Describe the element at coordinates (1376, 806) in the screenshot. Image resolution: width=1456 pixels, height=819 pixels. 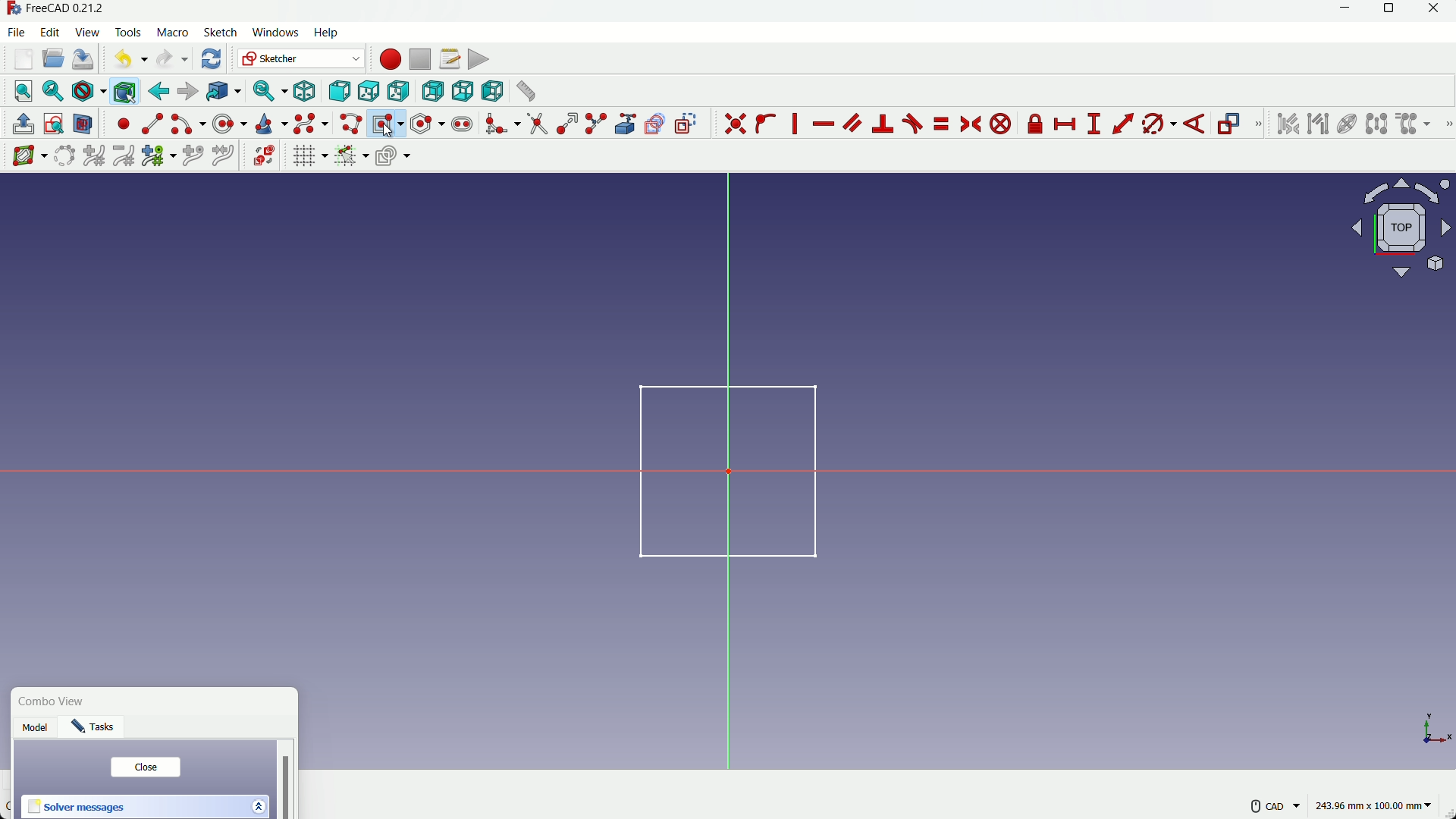
I see `measuring unit` at that location.